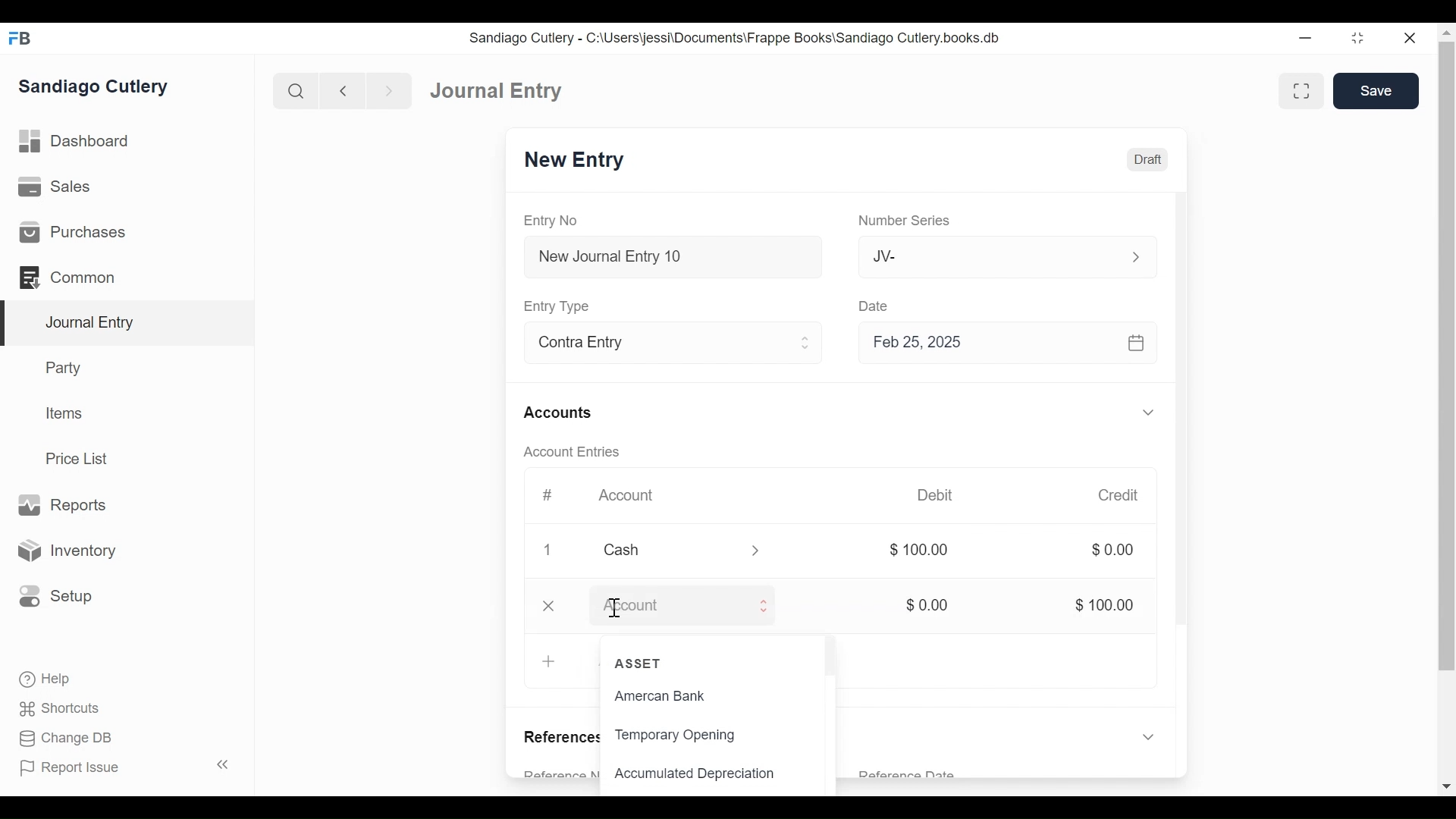 Image resolution: width=1456 pixels, height=819 pixels. What do you see at coordinates (42, 677) in the screenshot?
I see `Help` at bounding box center [42, 677].